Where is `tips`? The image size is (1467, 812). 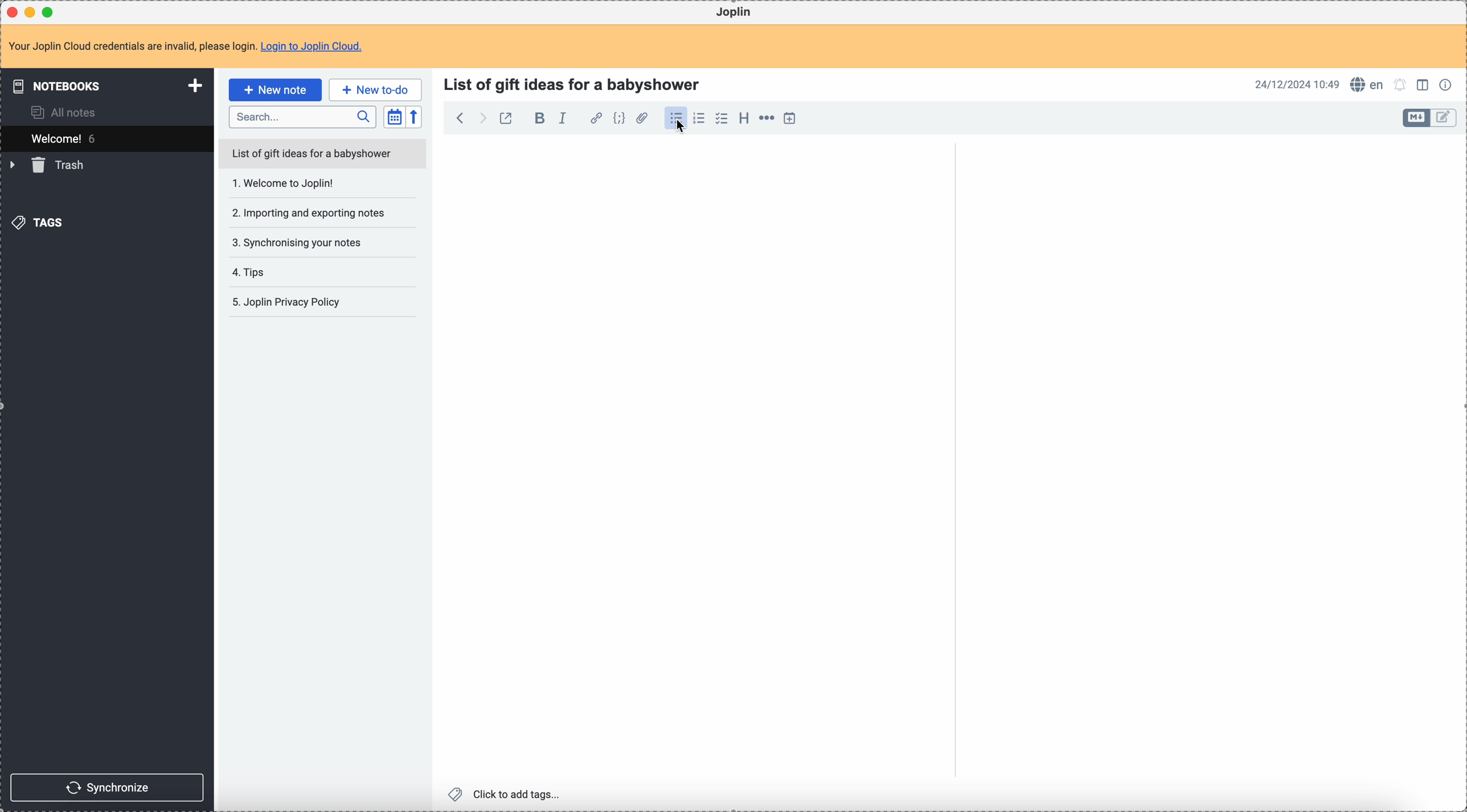
tips is located at coordinates (284, 272).